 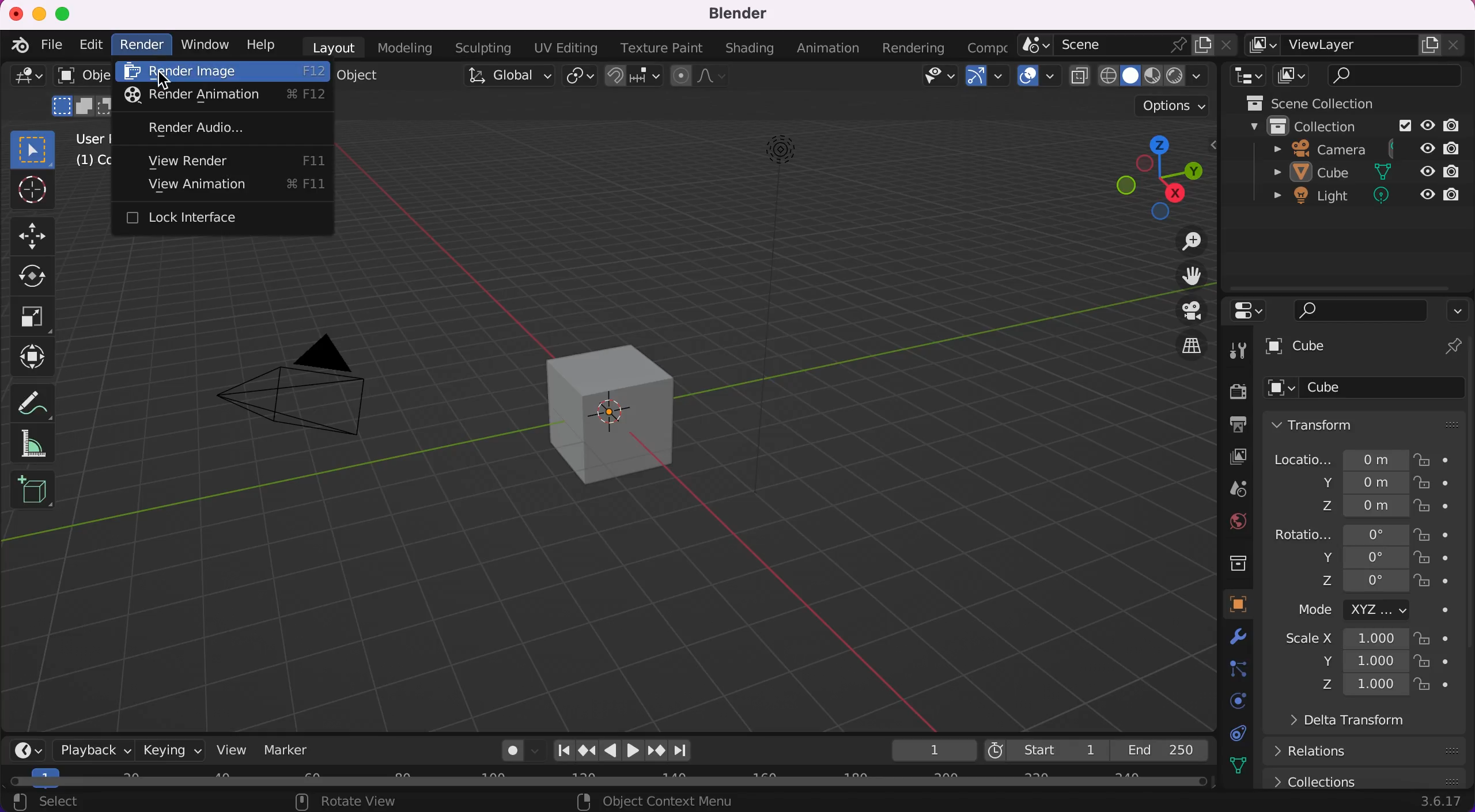 What do you see at coordinates (580, 78) in the screenshot?
I see `tranform pivot point` at bounding box center [580, 78].